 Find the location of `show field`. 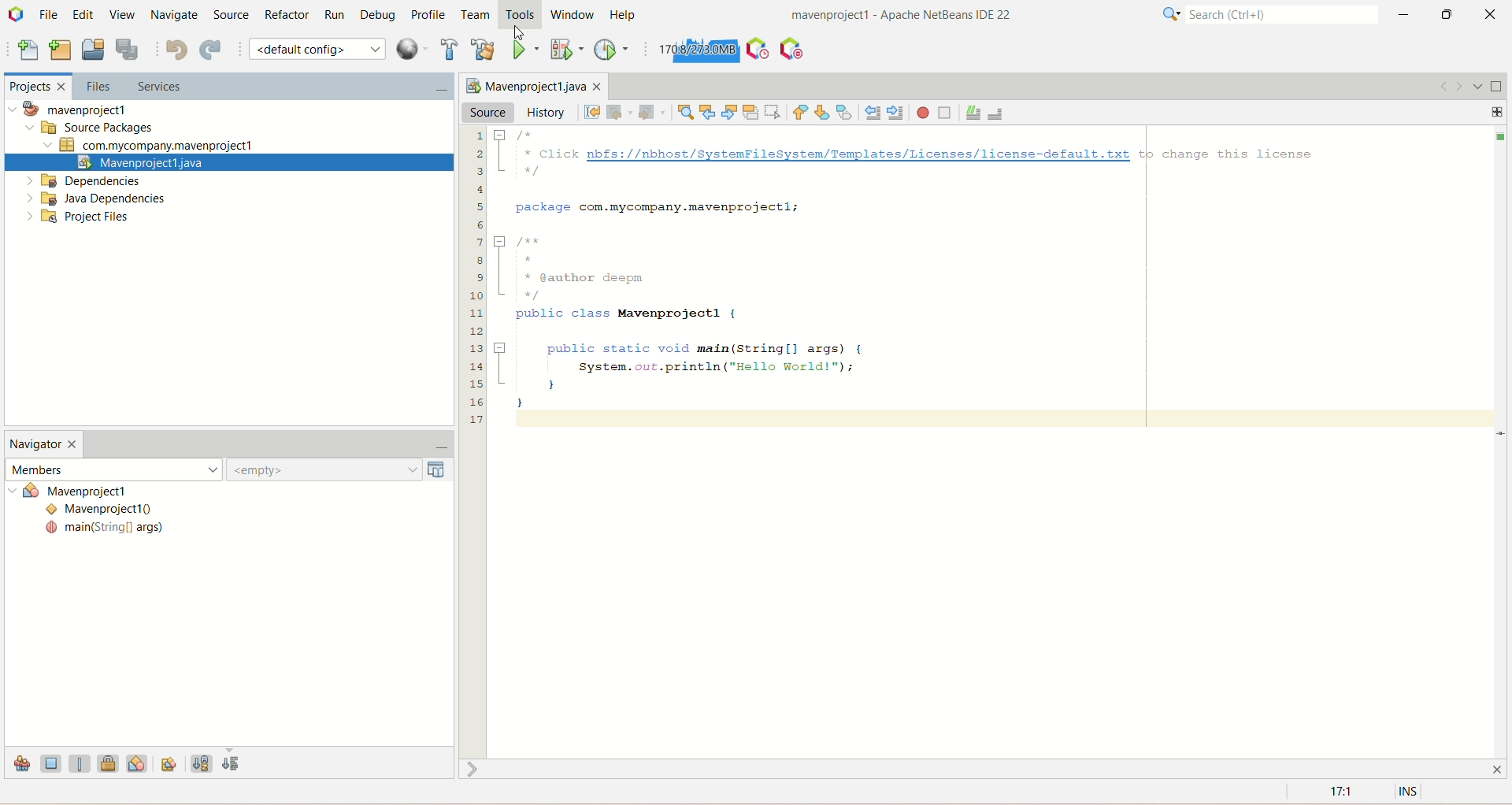

show field is located at coordinates (51, 762).